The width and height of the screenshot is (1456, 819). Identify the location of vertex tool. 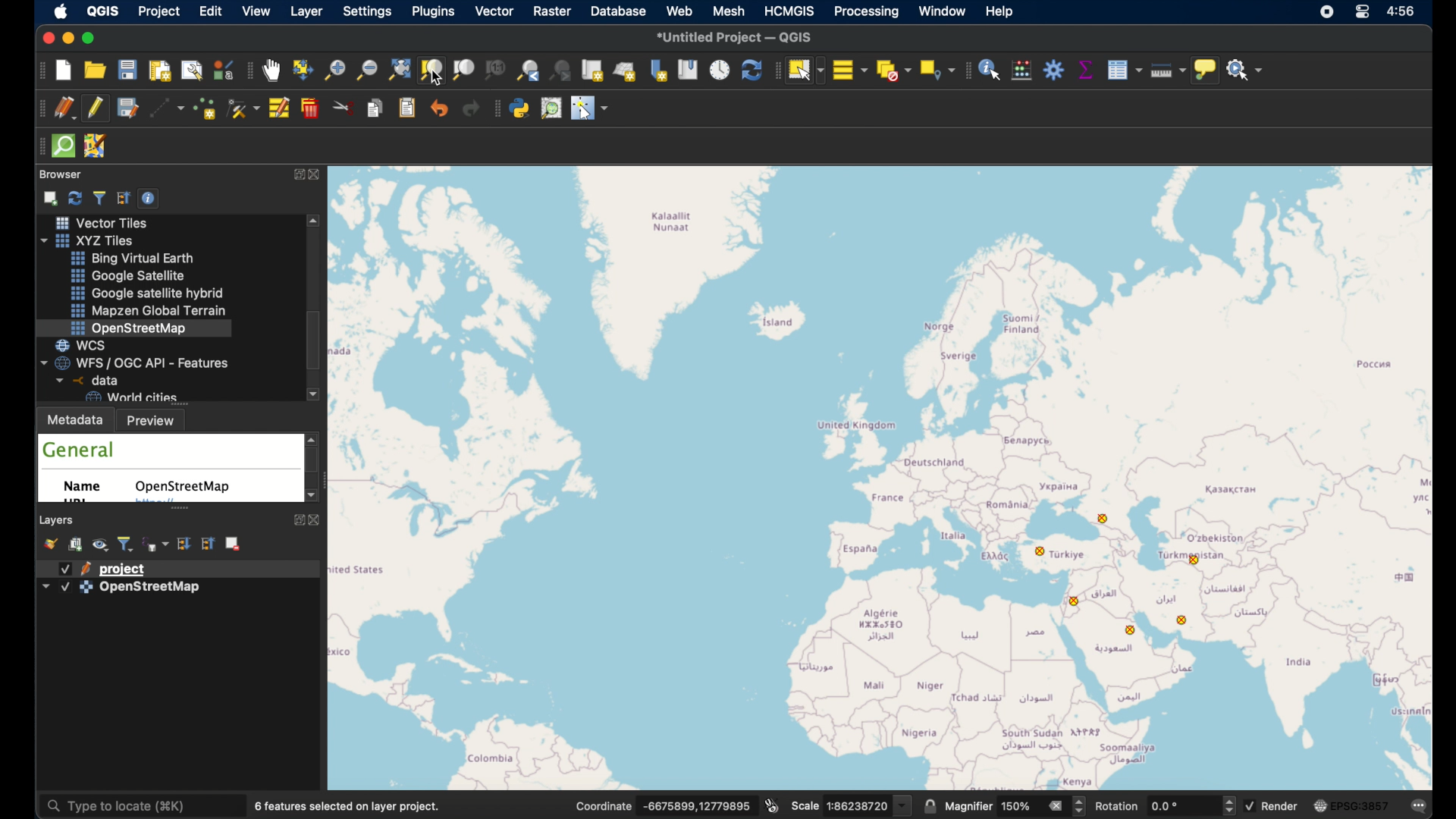
(243, 108).